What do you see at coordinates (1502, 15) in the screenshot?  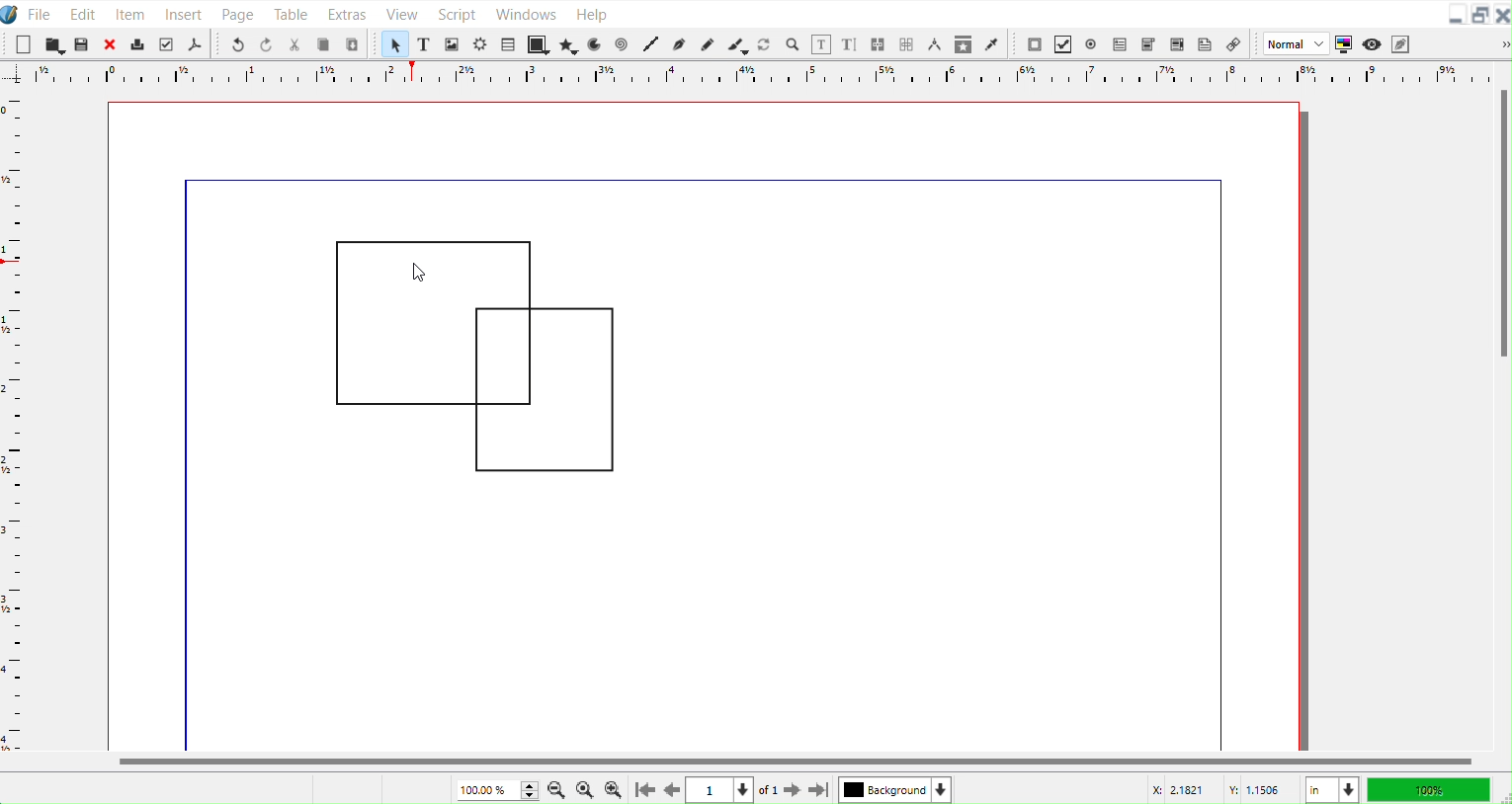 I see `Close` at bounding box center [1502, 15].